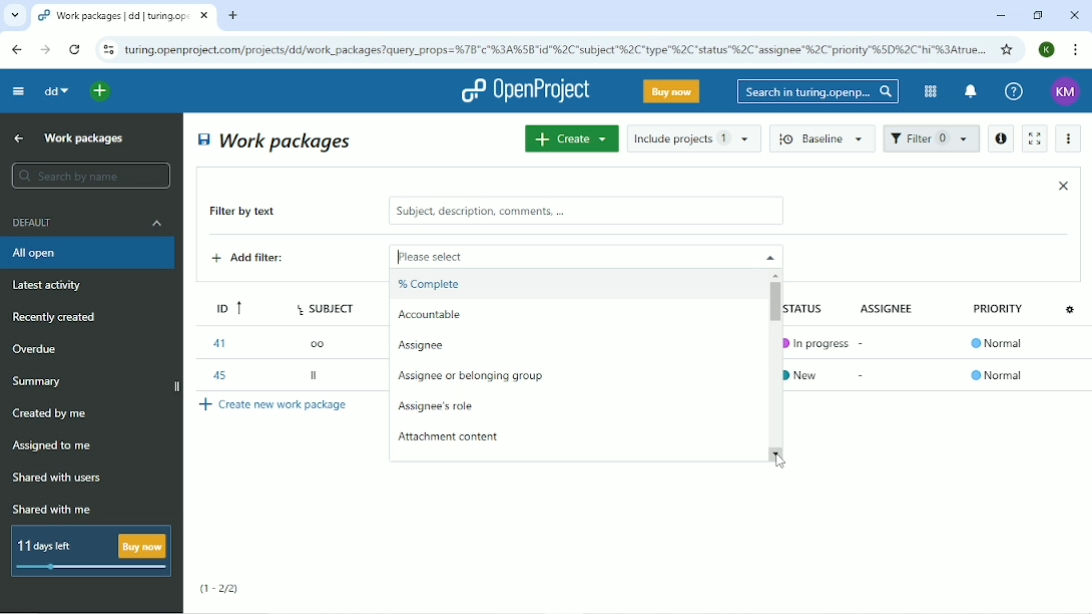 The height and width of the screenshot is (614, 1092). I want to click on Latest activity, so click(53, 287).